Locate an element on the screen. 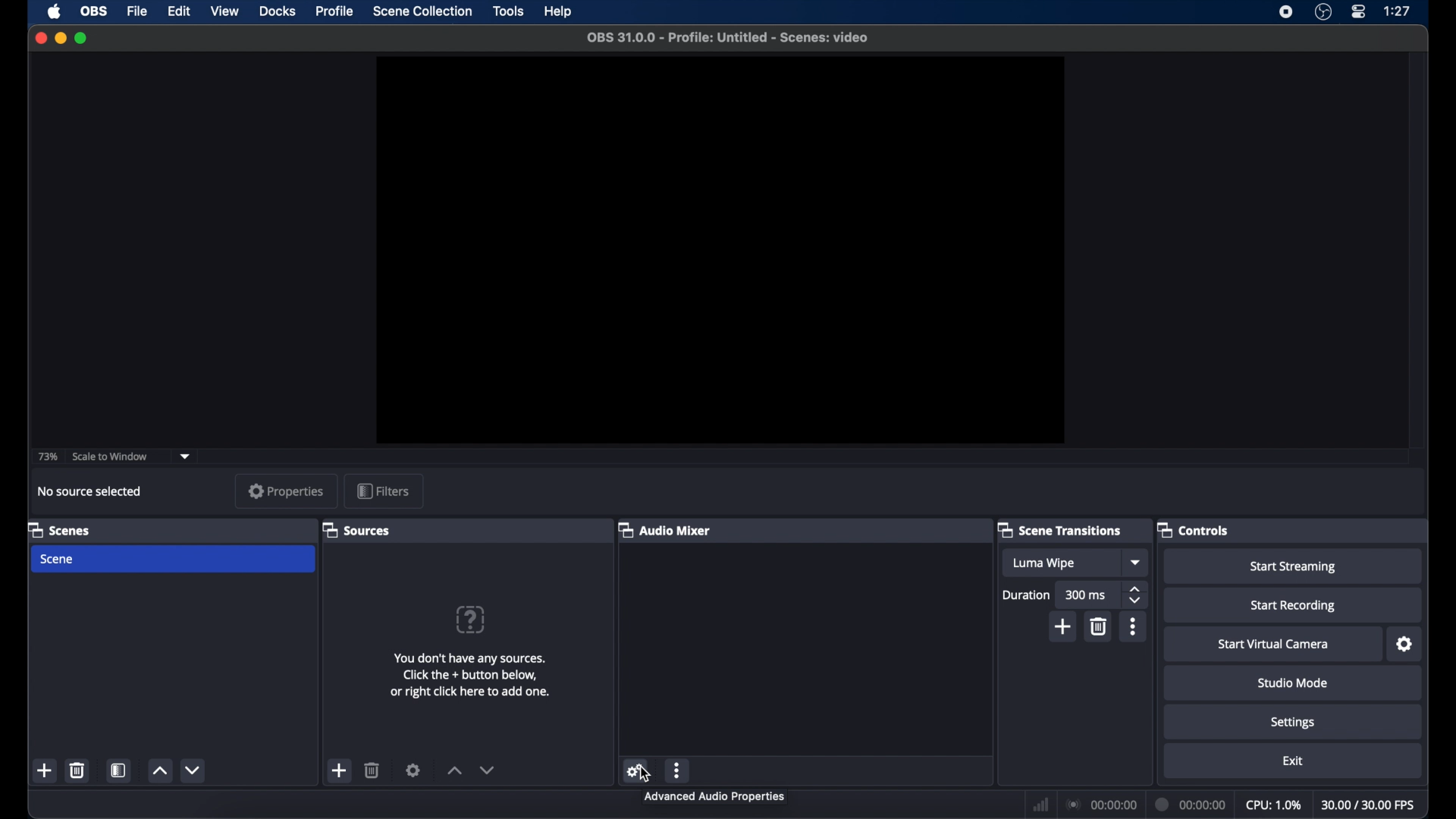  increment is located at coordinates (160, 770).